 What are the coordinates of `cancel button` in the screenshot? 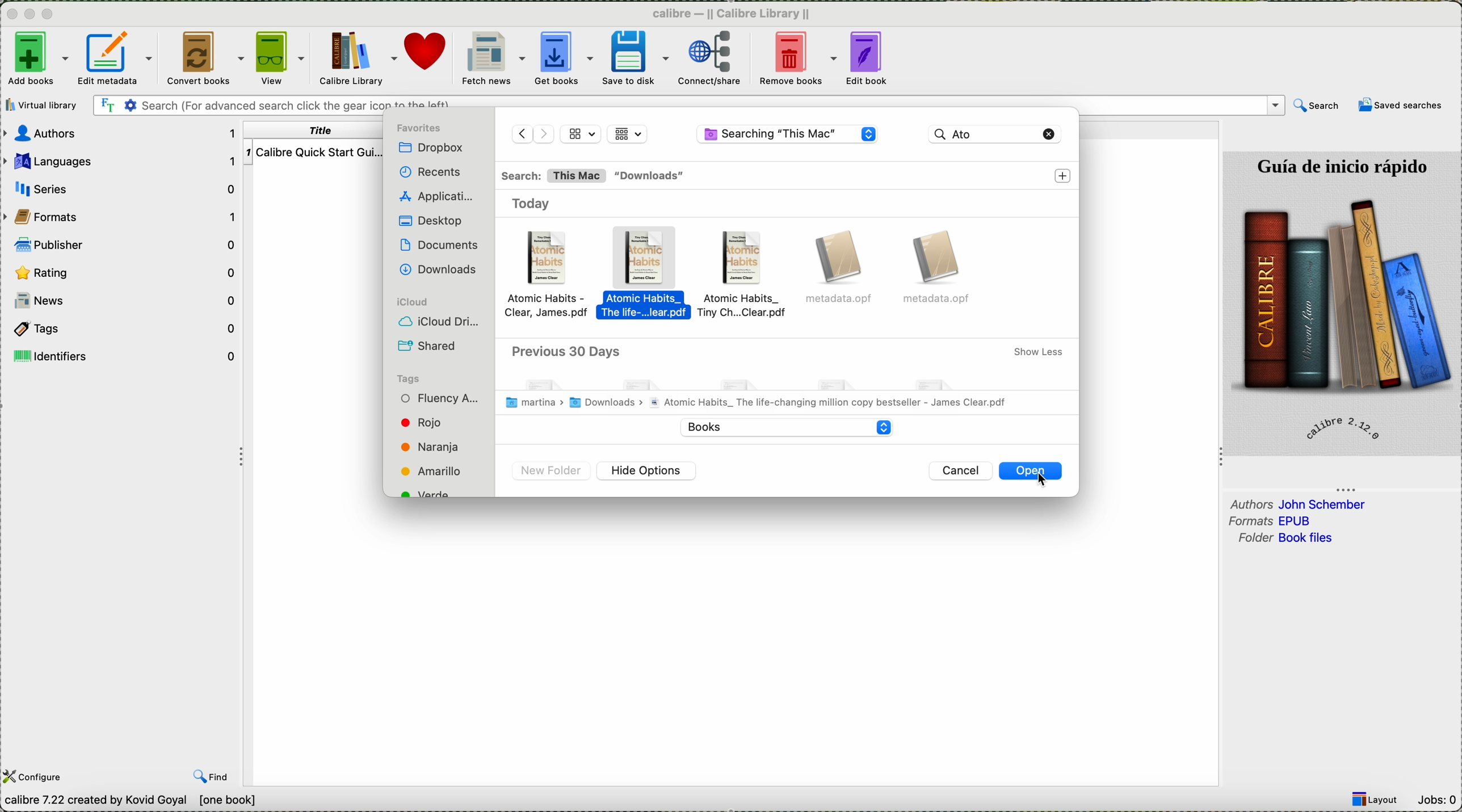 It's located at (963, 471).